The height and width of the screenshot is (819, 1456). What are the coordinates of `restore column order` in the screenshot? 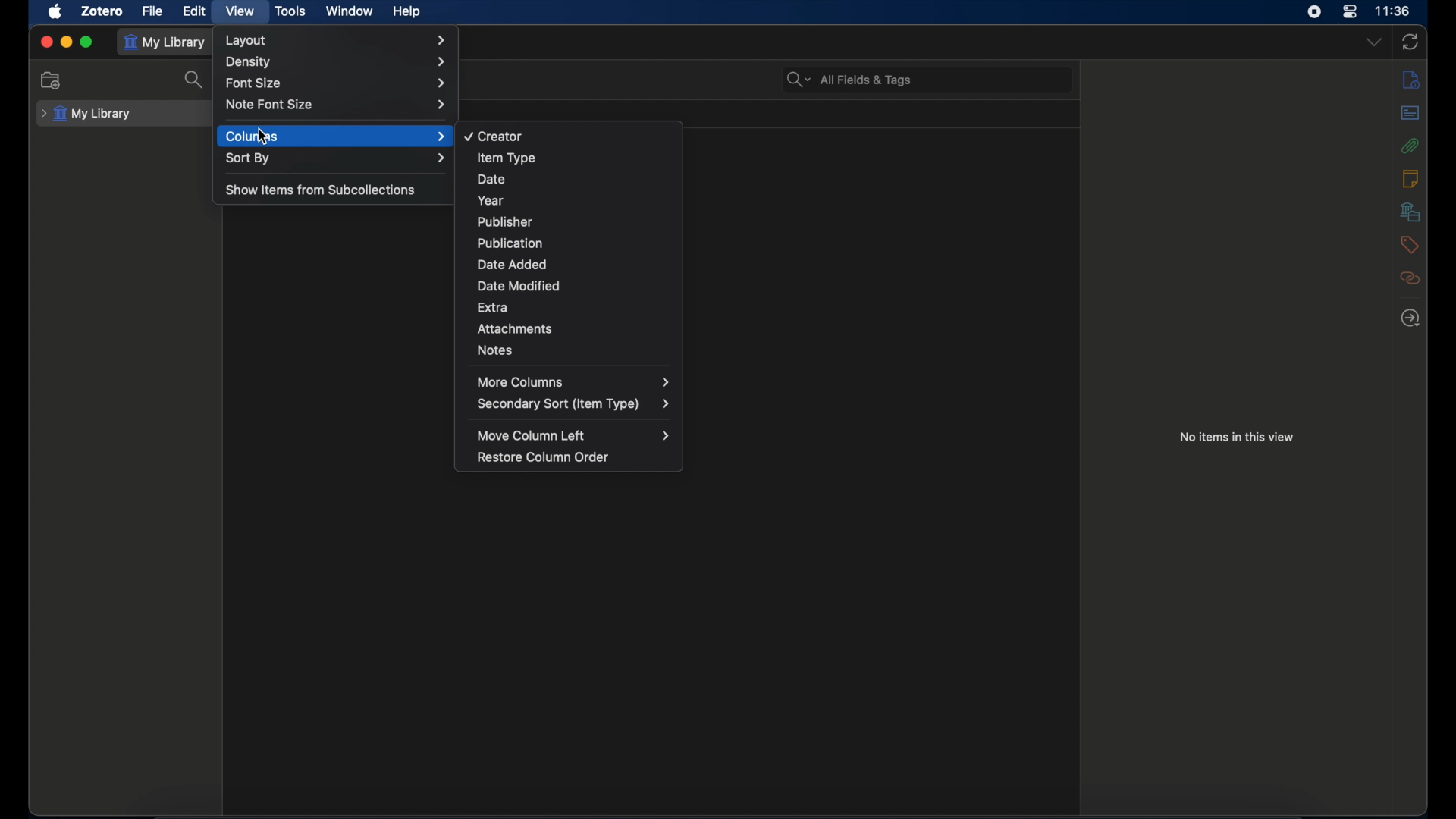 It's located at (543, 457).